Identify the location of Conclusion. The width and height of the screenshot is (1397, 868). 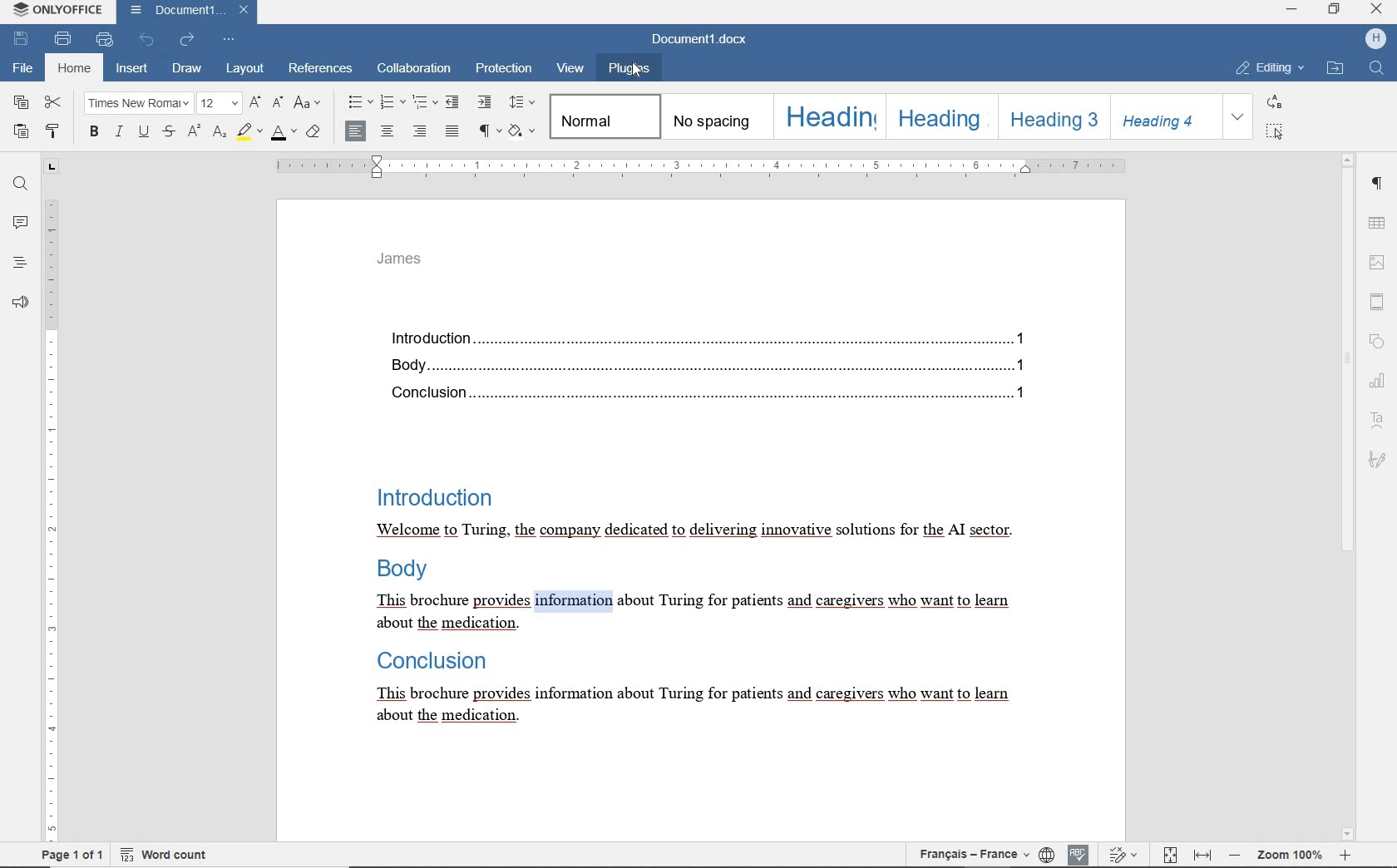
(427, 662).